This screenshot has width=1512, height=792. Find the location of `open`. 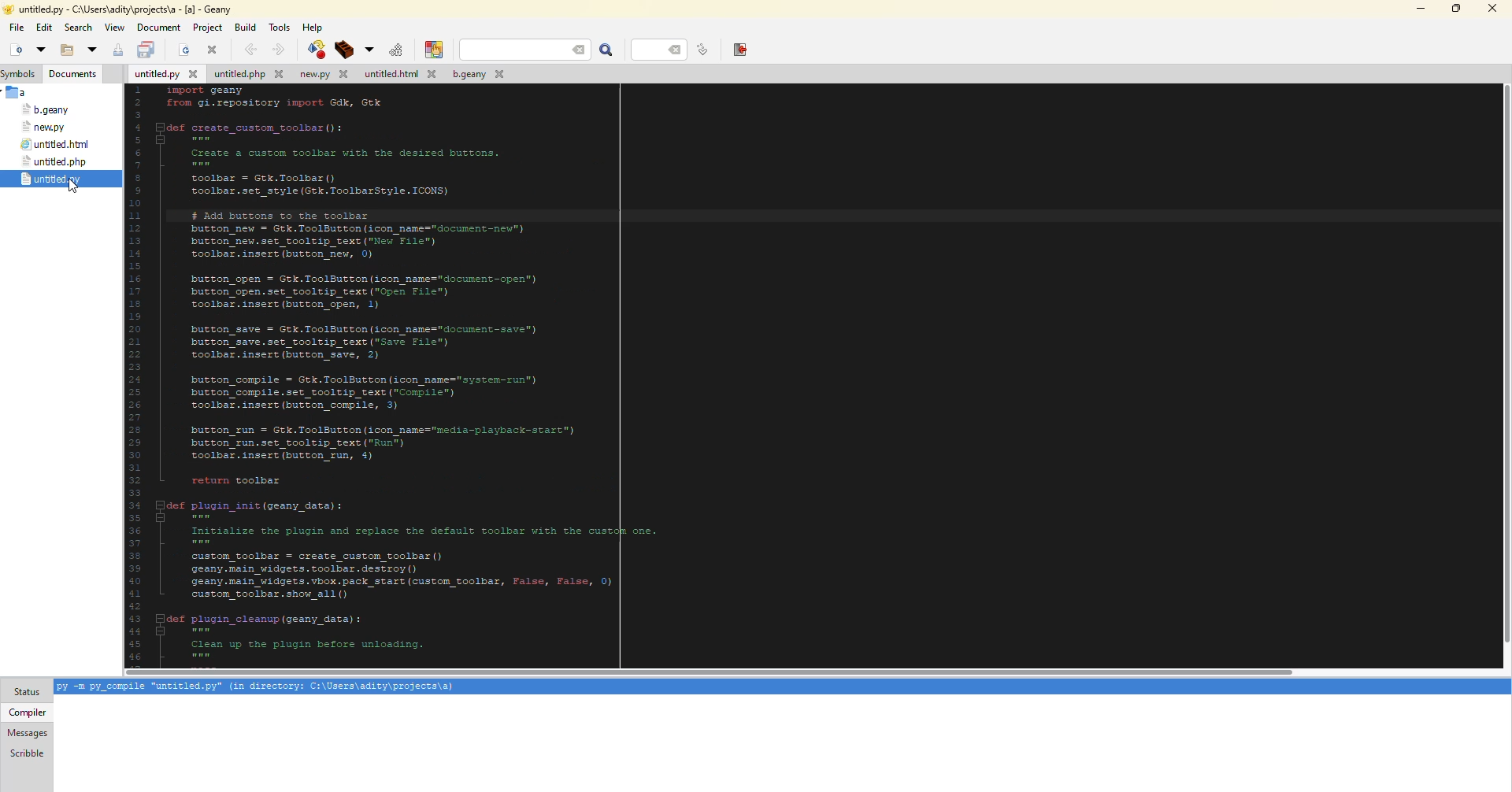

open is located at coordinates (91, 50).